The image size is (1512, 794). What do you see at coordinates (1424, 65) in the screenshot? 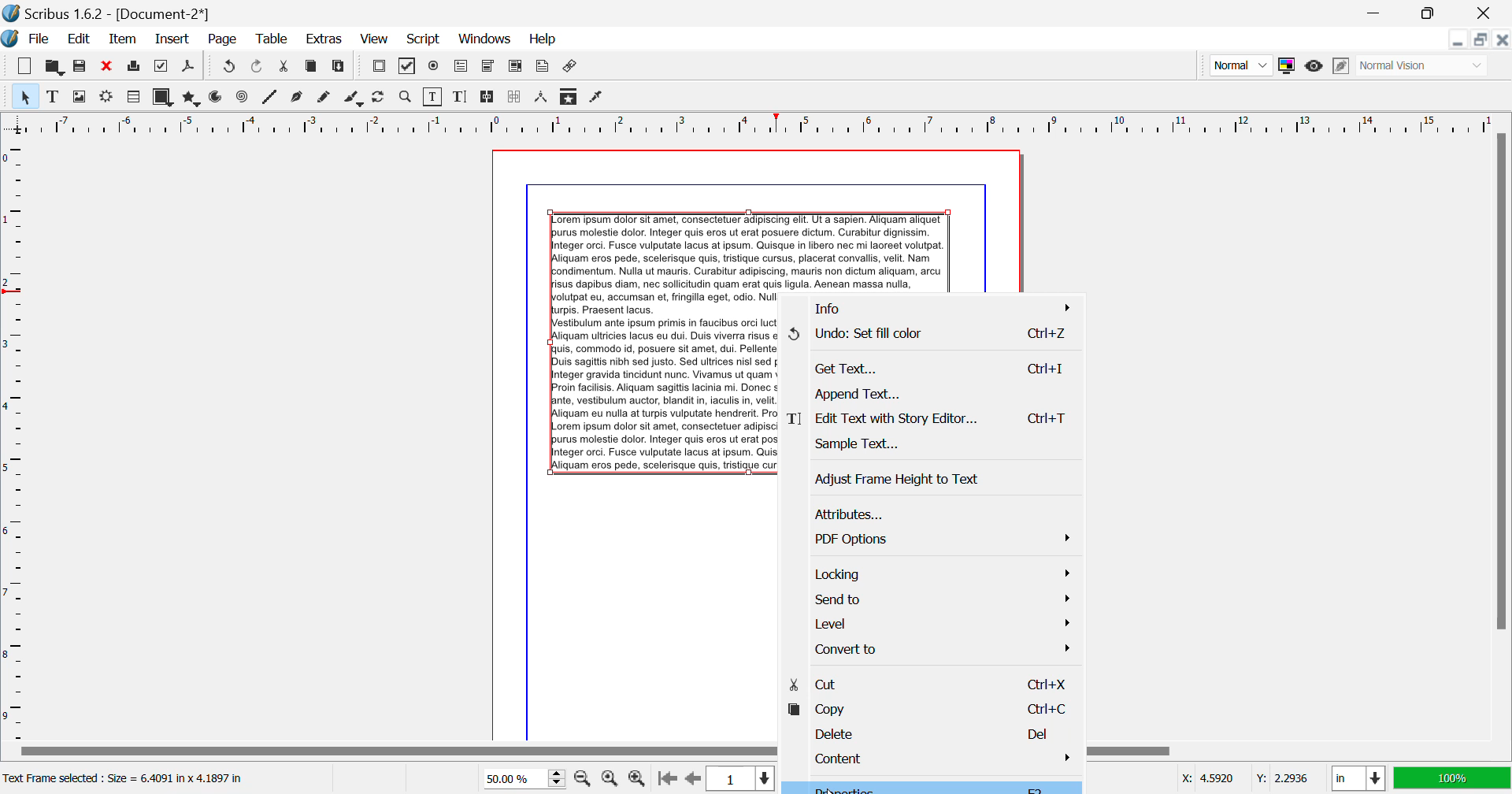
I see `Display Visual Appearance` at bounding box center [1424, 65].